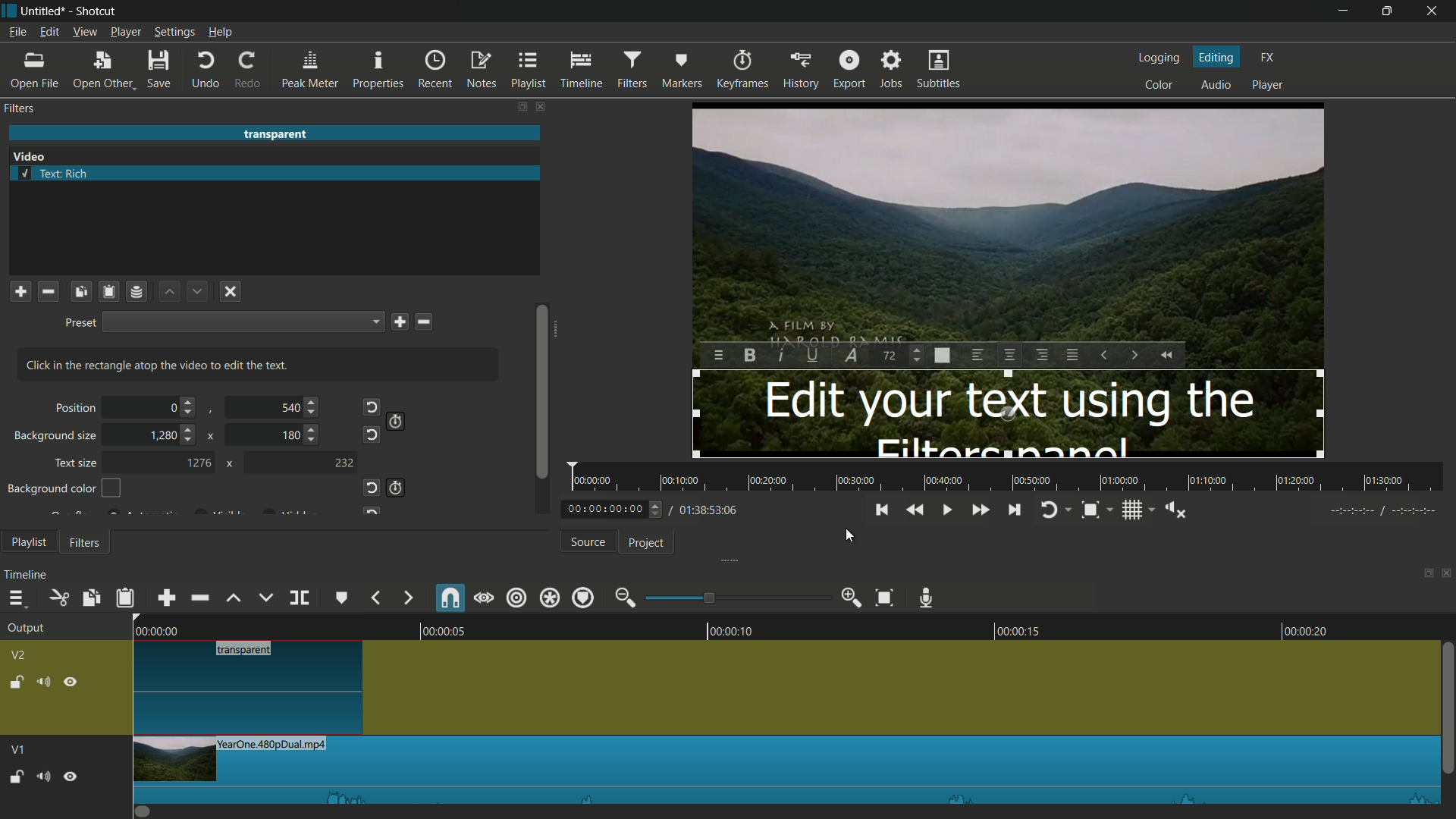  I want to click on zoom, so click(943, 356).